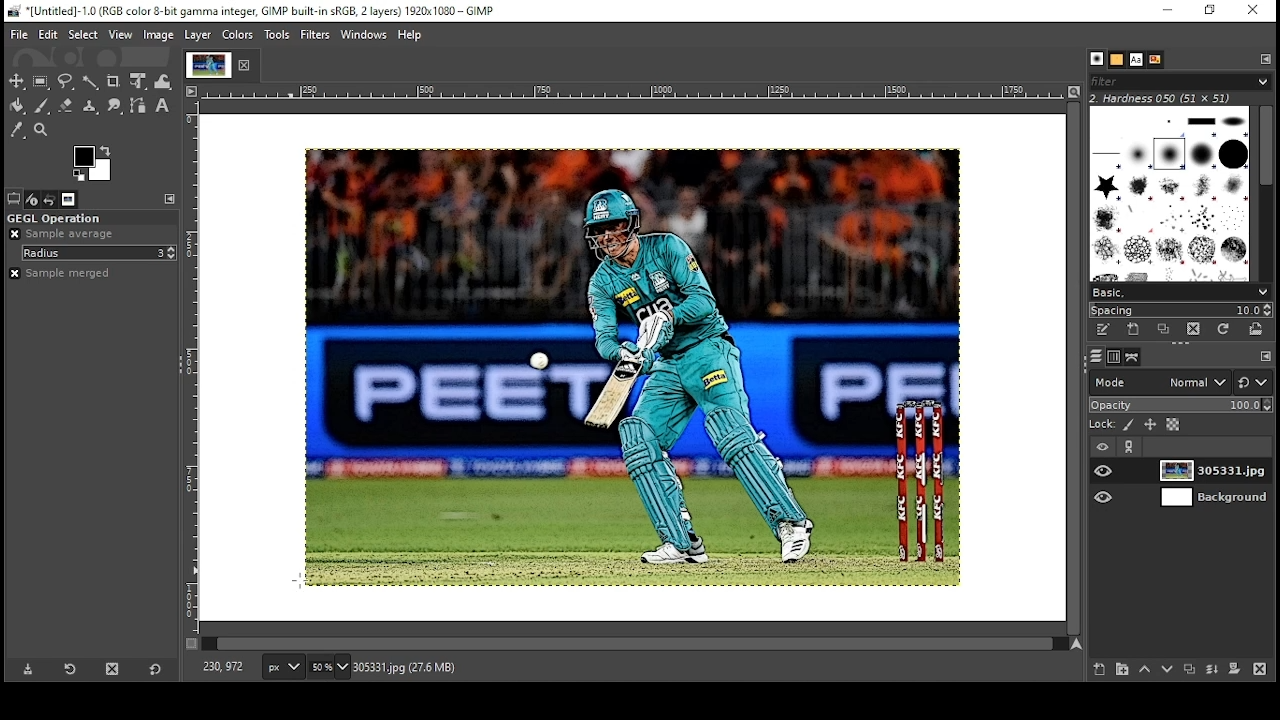 This screenshot has height=720, width=1280. Describe the element at coordinates (1100, 670) in the screenshot. I see `create new layer` at that location.